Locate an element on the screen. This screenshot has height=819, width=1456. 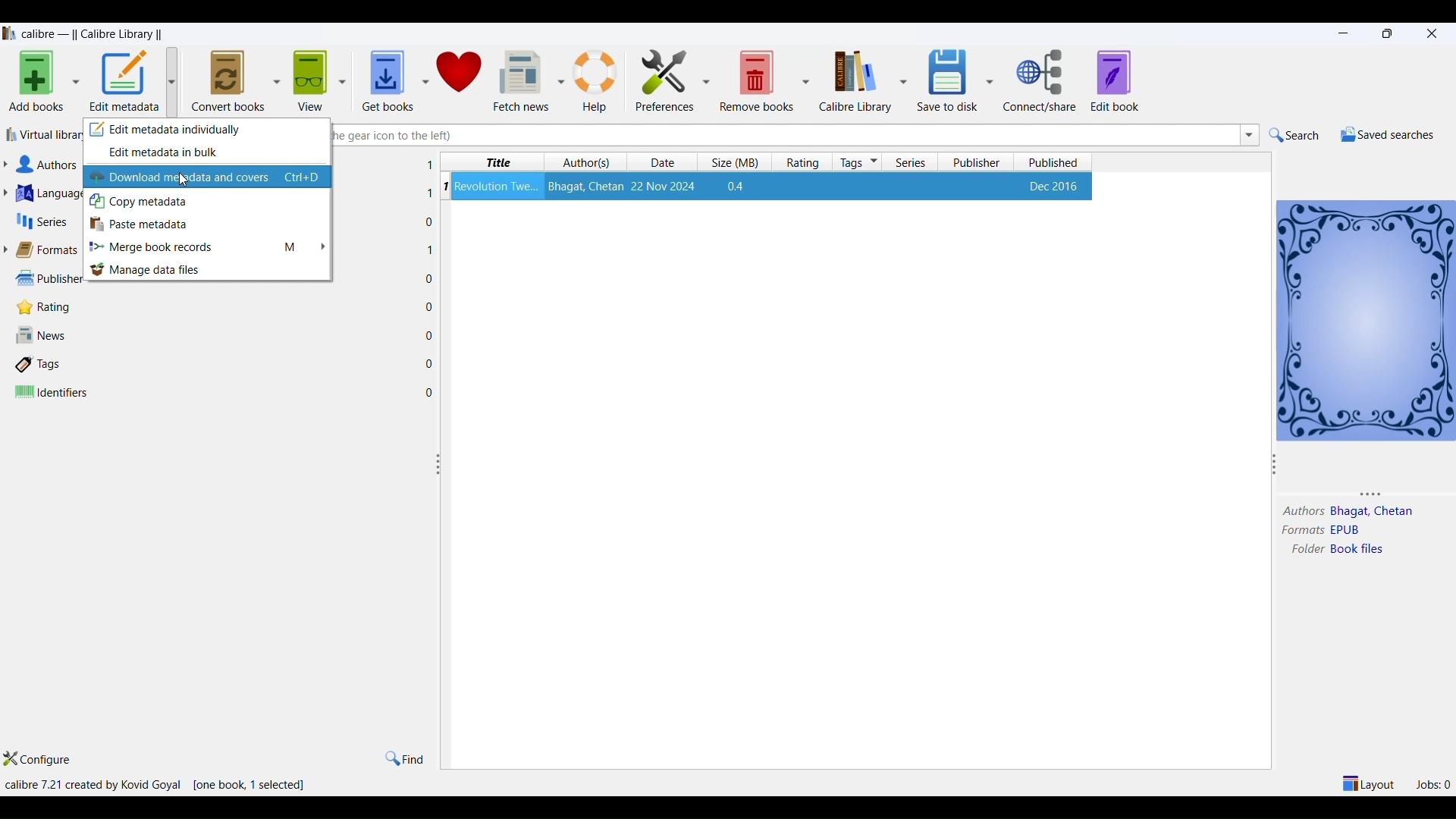
ctrl+D is located at coordinates (305, 178).